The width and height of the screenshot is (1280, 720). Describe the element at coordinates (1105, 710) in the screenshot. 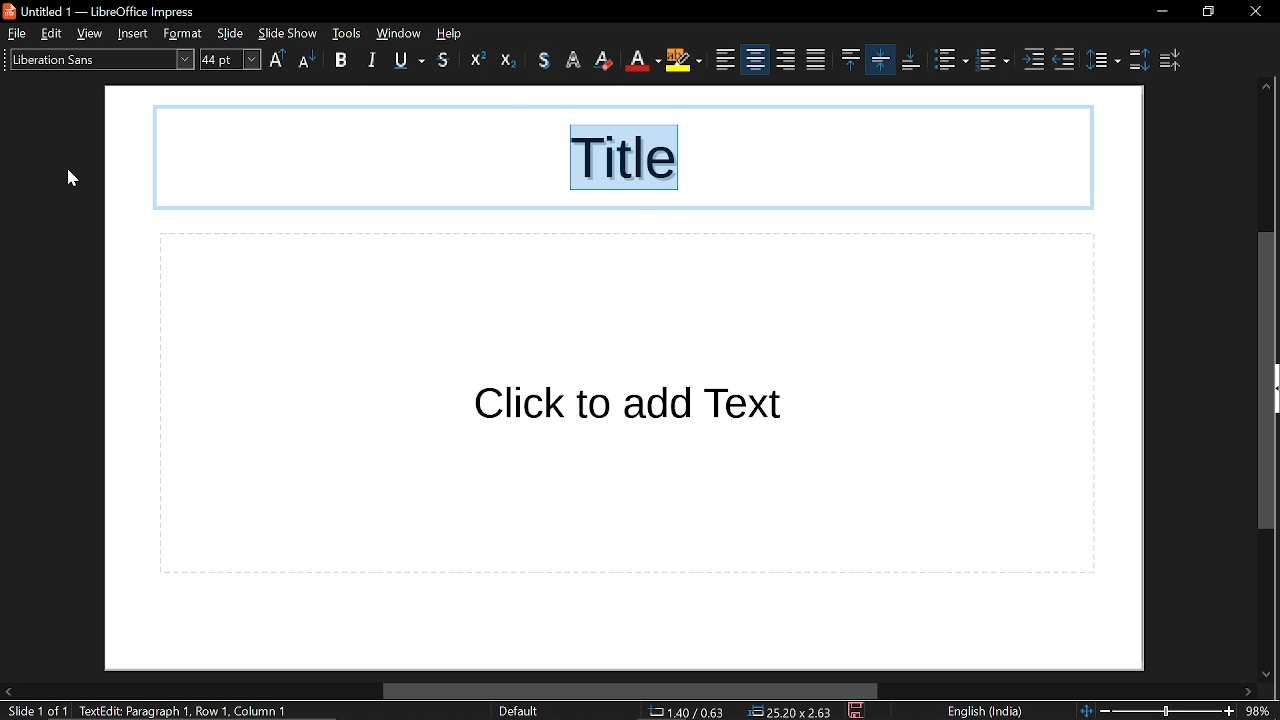

I see `zoom out` at that location.